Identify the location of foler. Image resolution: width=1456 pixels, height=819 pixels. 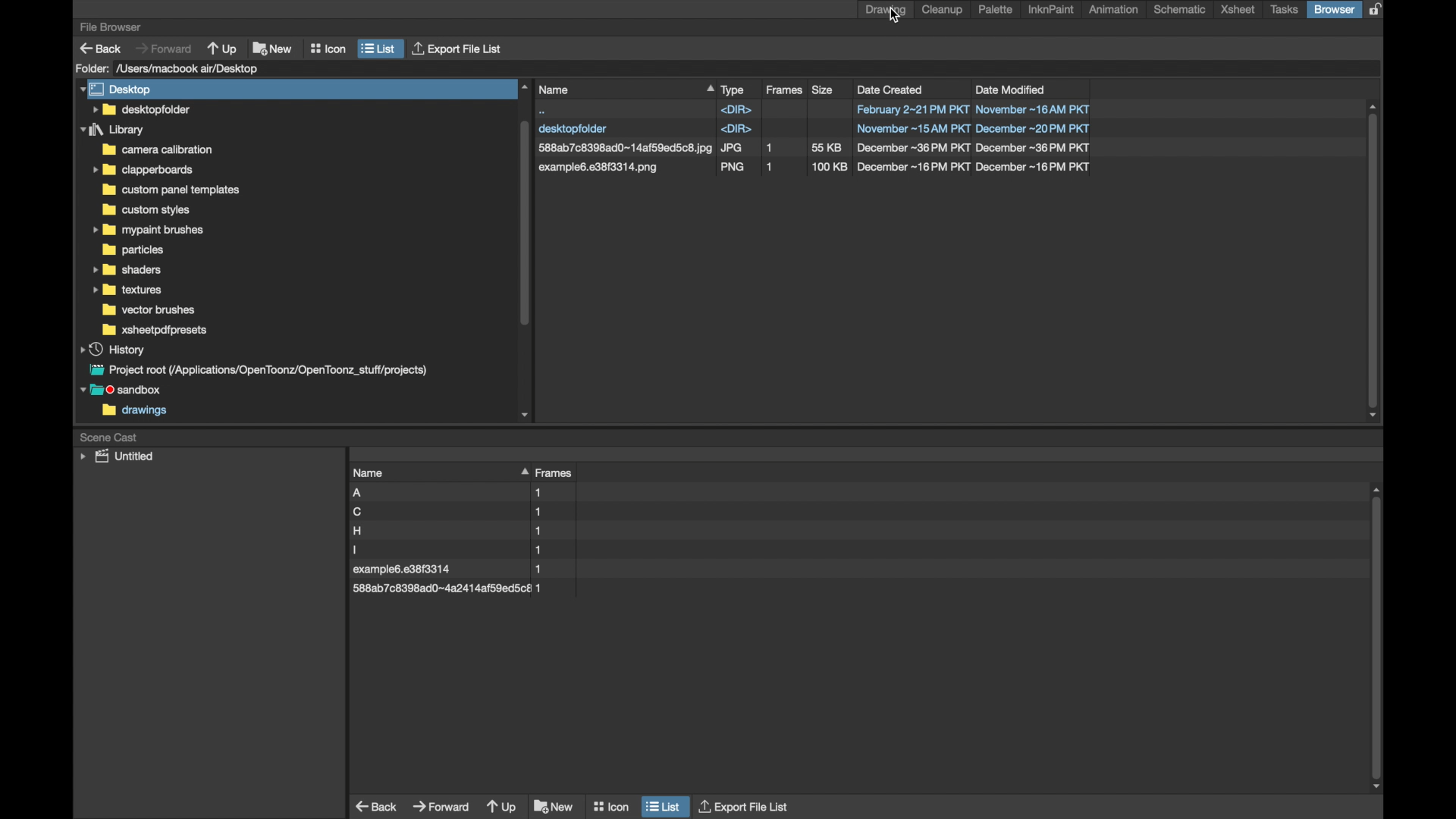
(155, 330).